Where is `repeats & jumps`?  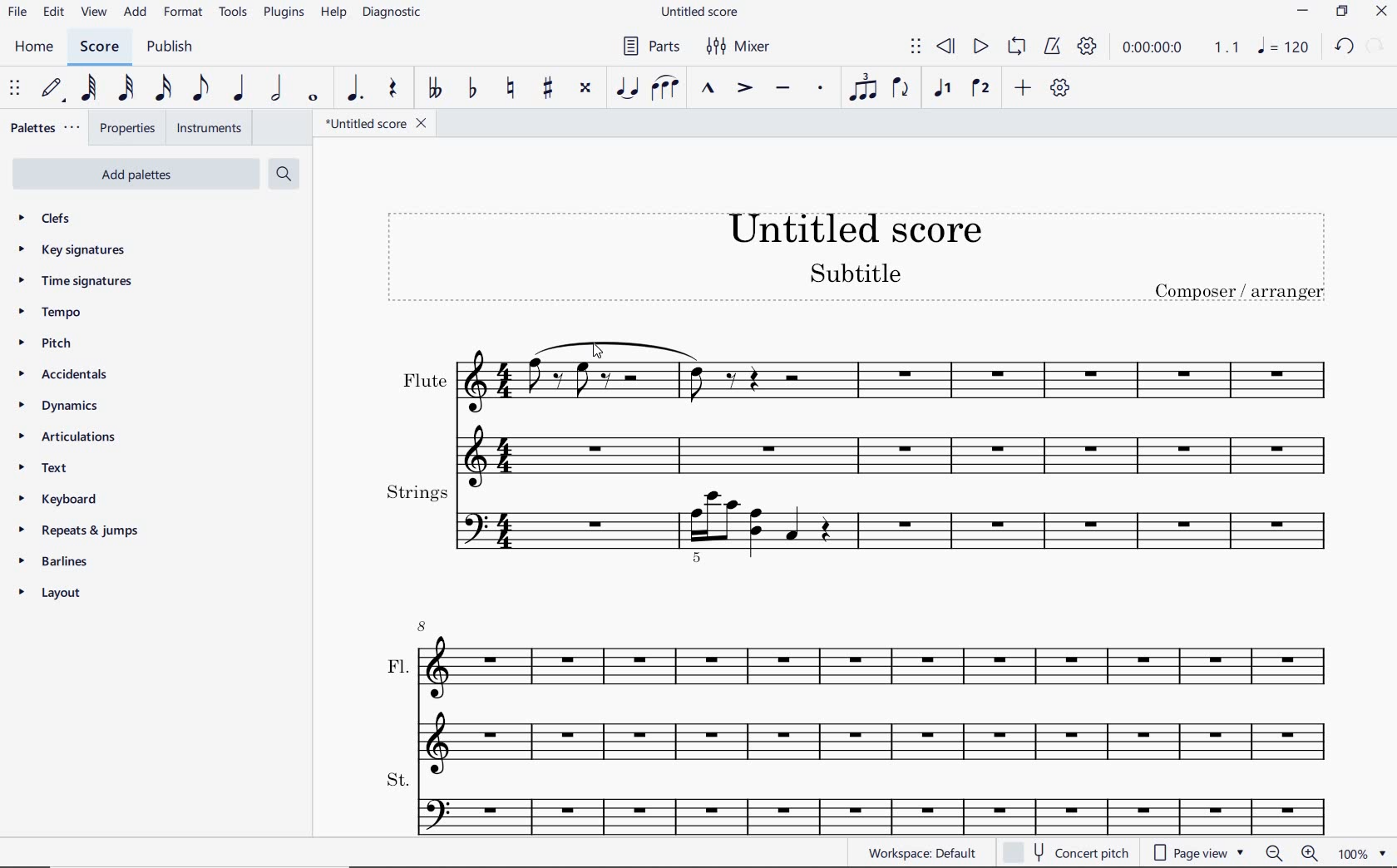
repeats & jumps is located at coordinates (84, 531).